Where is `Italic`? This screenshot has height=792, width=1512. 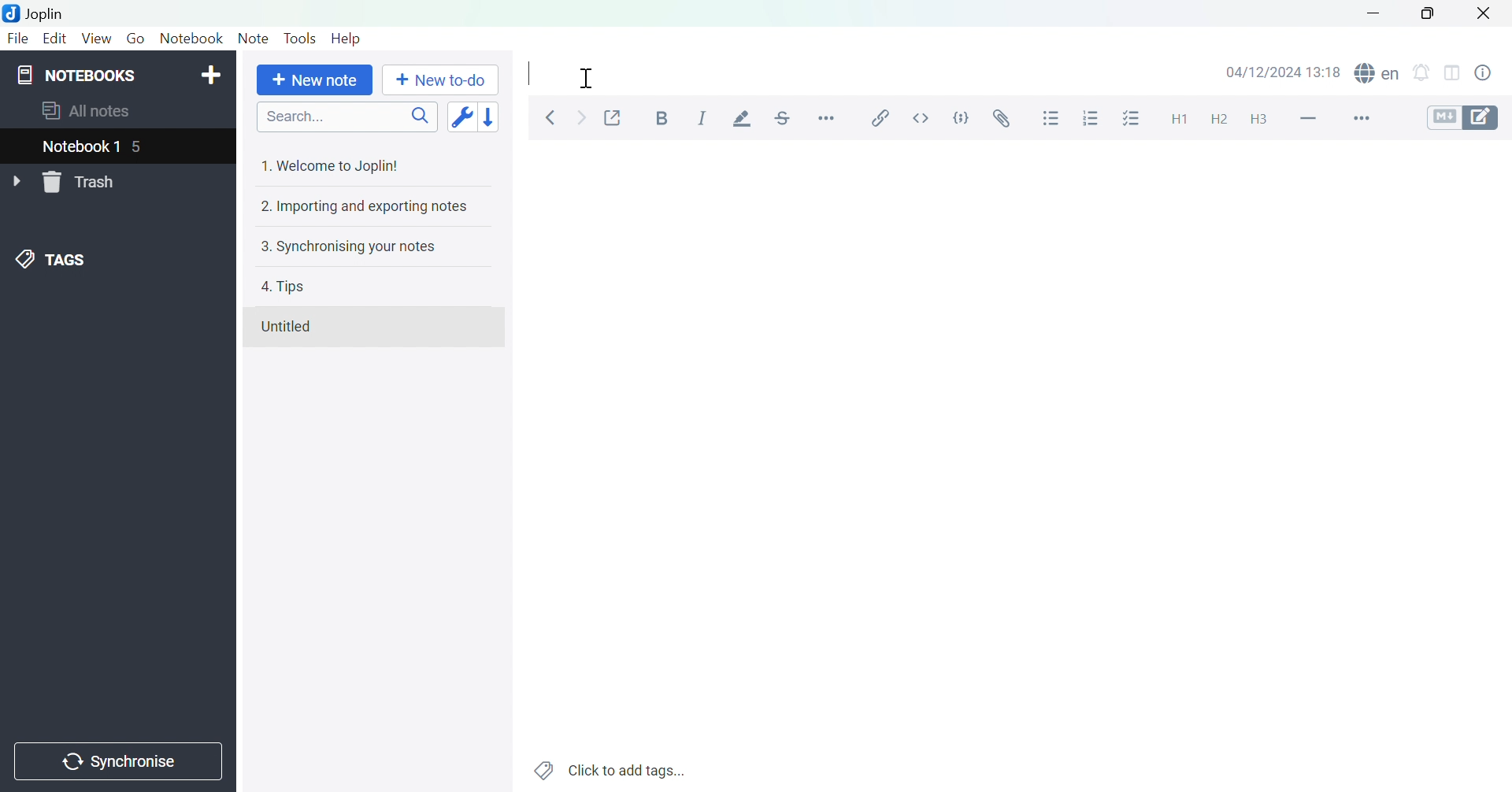 Italic is located at coordinates (702, 117).